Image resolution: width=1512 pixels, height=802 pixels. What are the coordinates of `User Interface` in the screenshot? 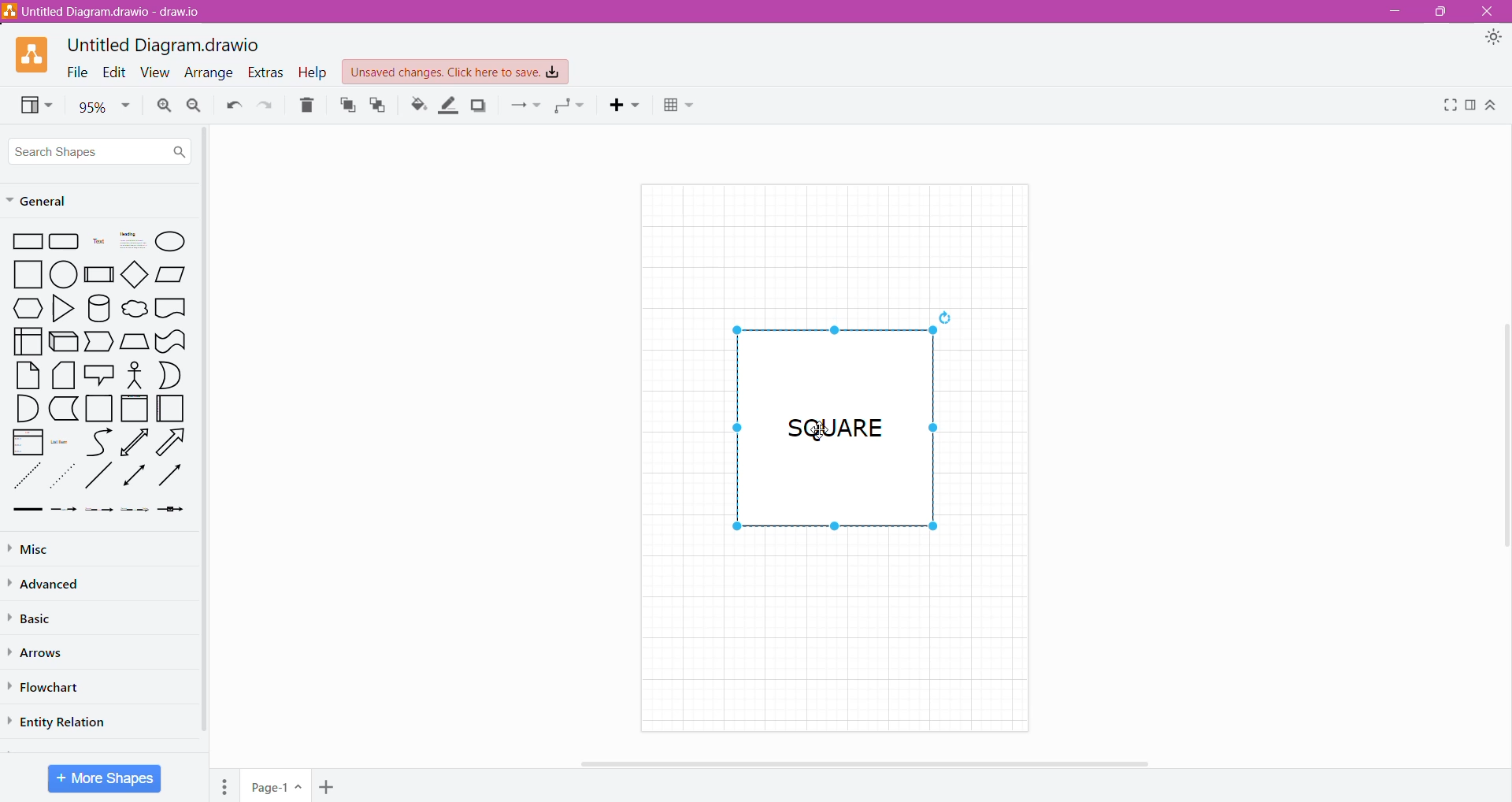 It's located at (27, 340).